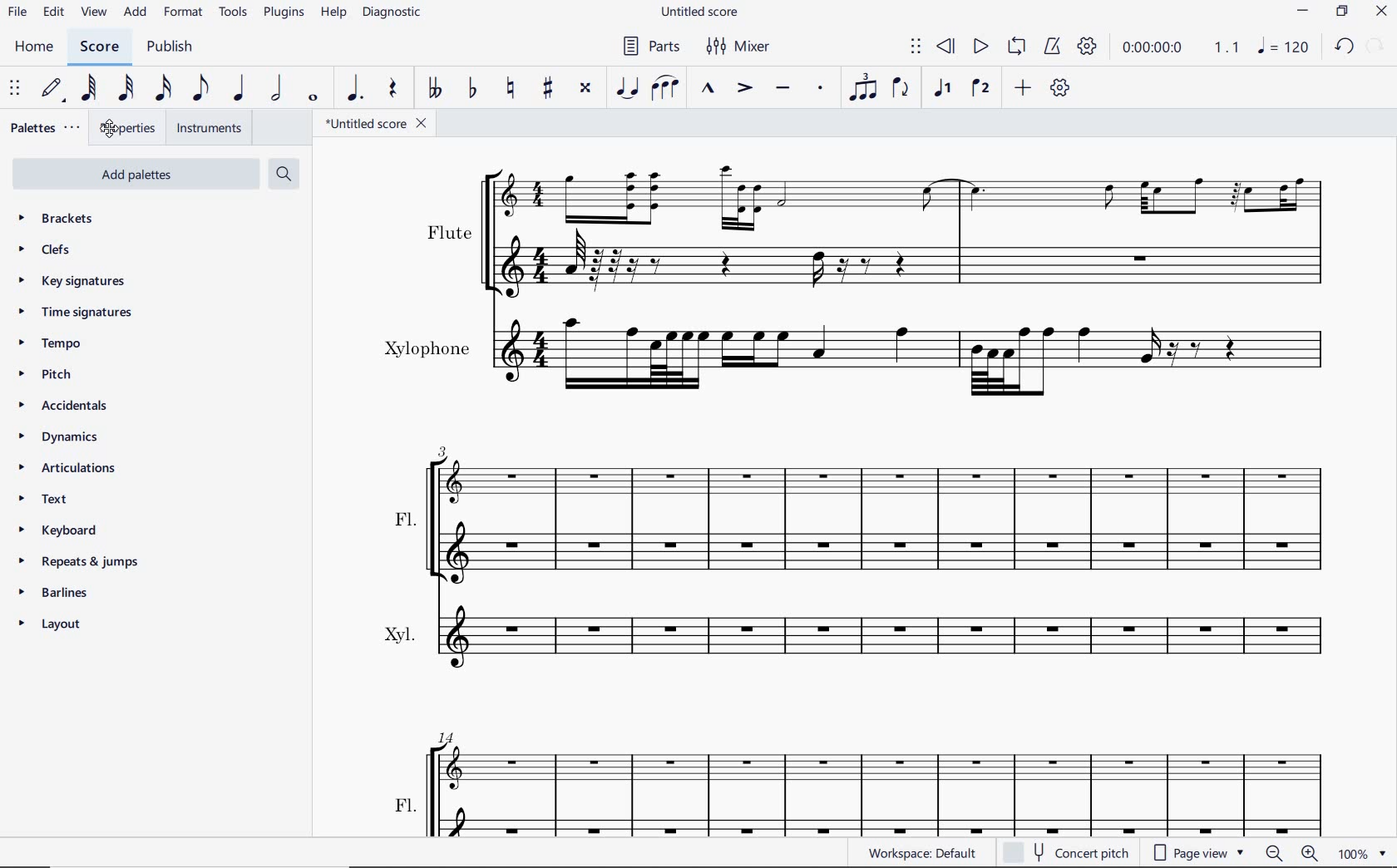  Describe the element at coordinates (49, 374) in the screenshot. I see `pitch` at that location.